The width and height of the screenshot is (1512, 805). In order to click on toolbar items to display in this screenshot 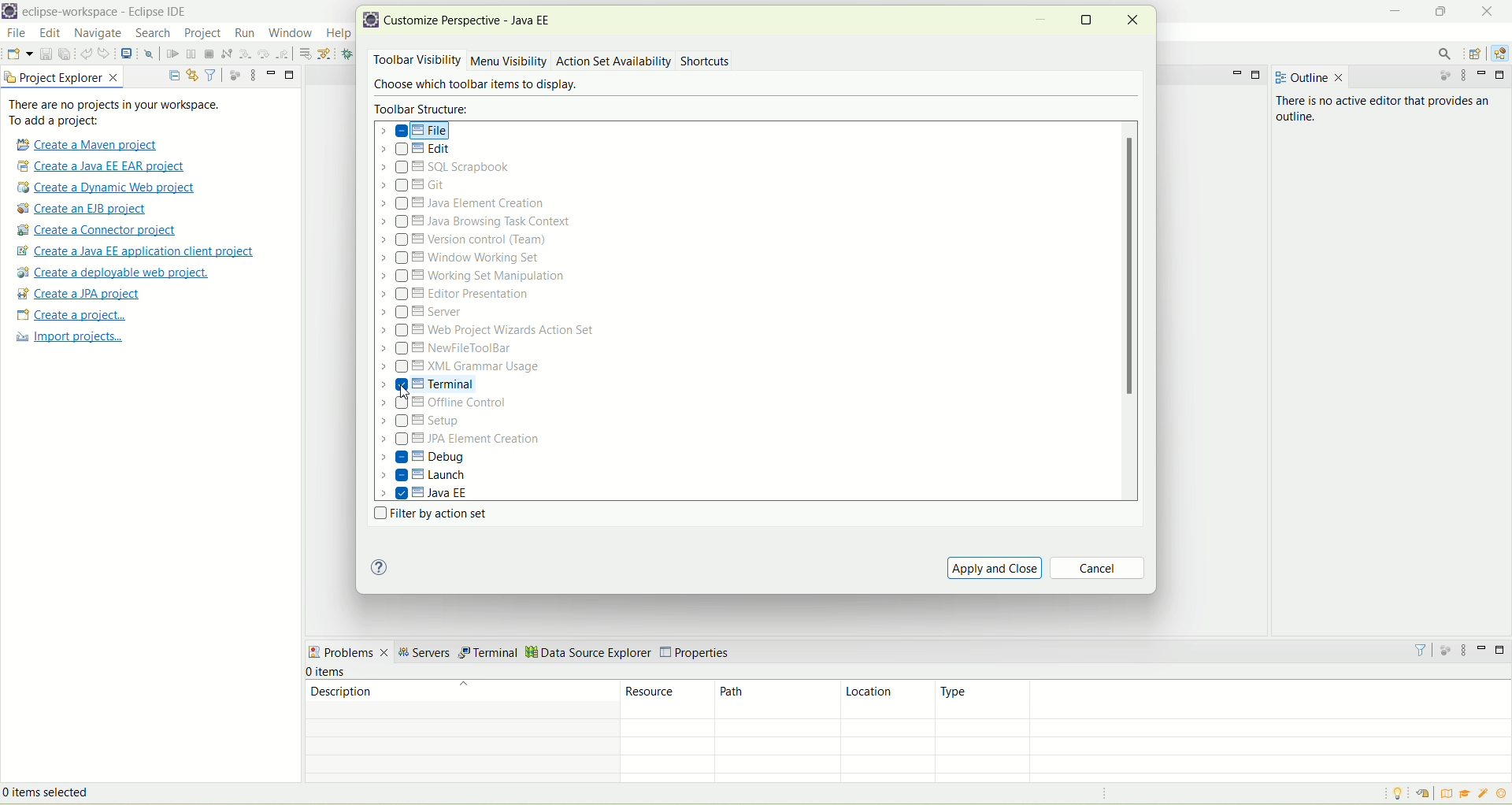, I will do `click(472, 86)`.